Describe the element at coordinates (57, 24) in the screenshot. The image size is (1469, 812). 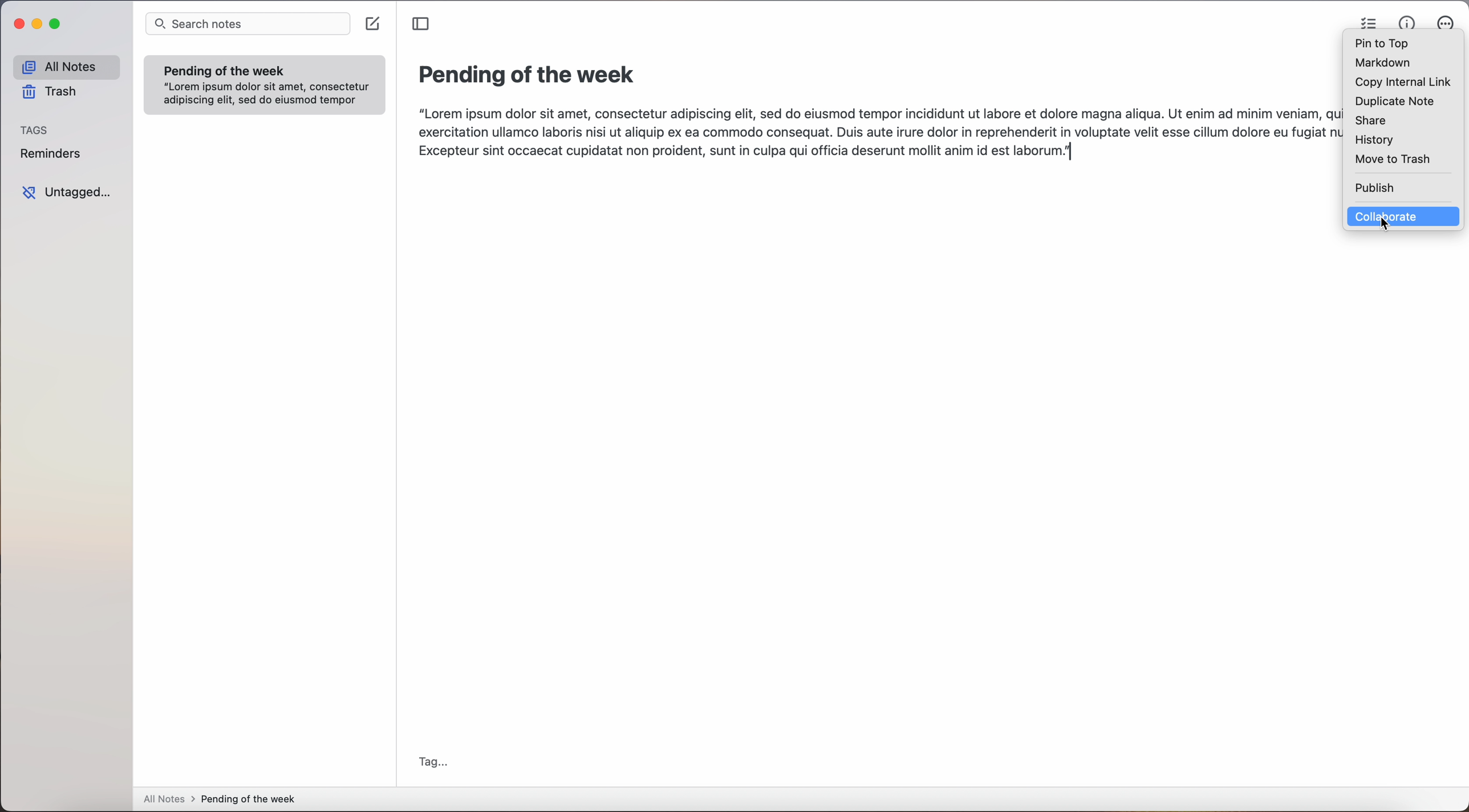
I see `maximize app` at that location.